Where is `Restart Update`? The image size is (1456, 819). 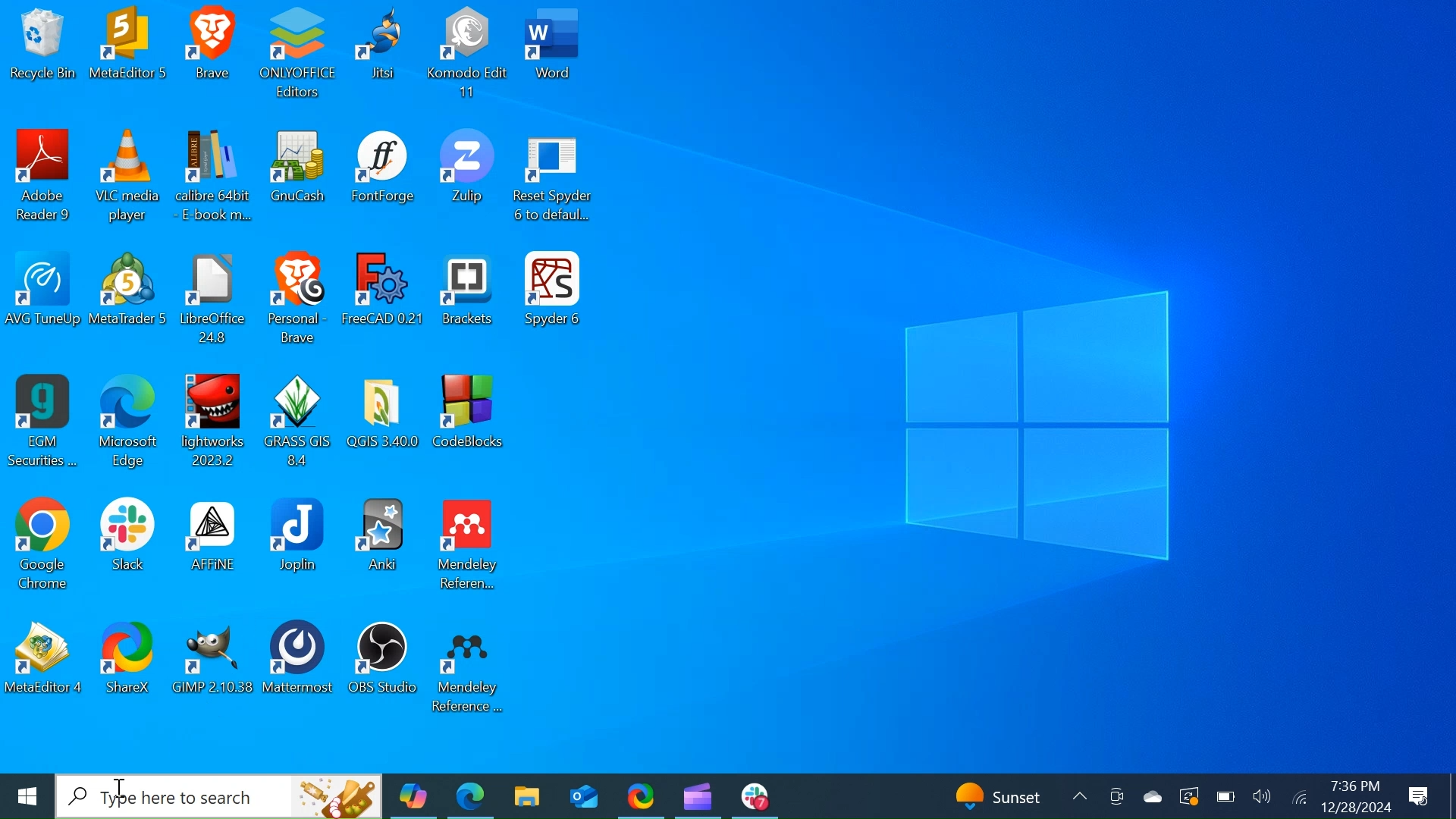 Restart Update is located at coordinates (1188, 797).